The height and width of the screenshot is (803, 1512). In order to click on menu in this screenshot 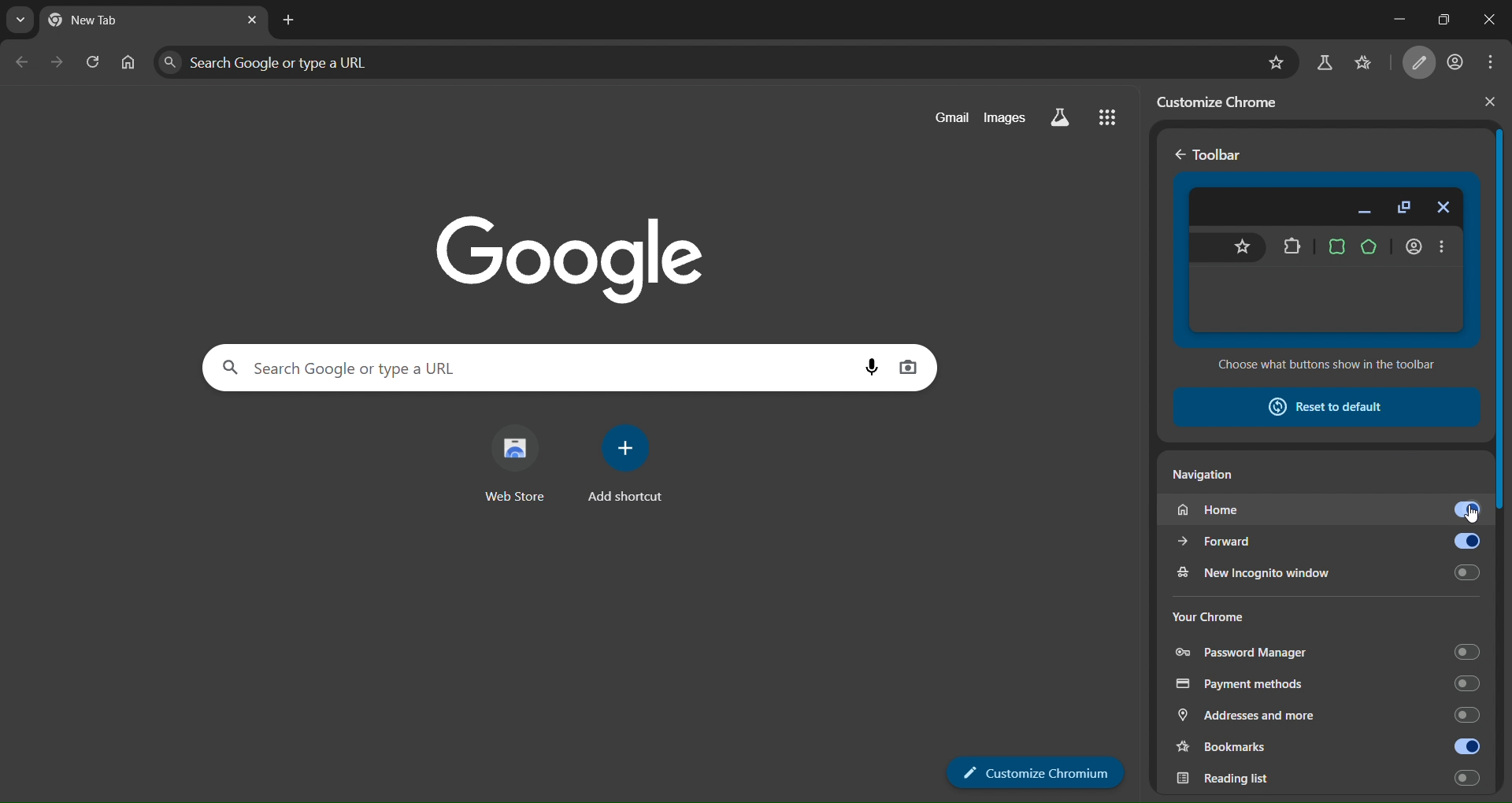, I will do `click(1496, 61)`.